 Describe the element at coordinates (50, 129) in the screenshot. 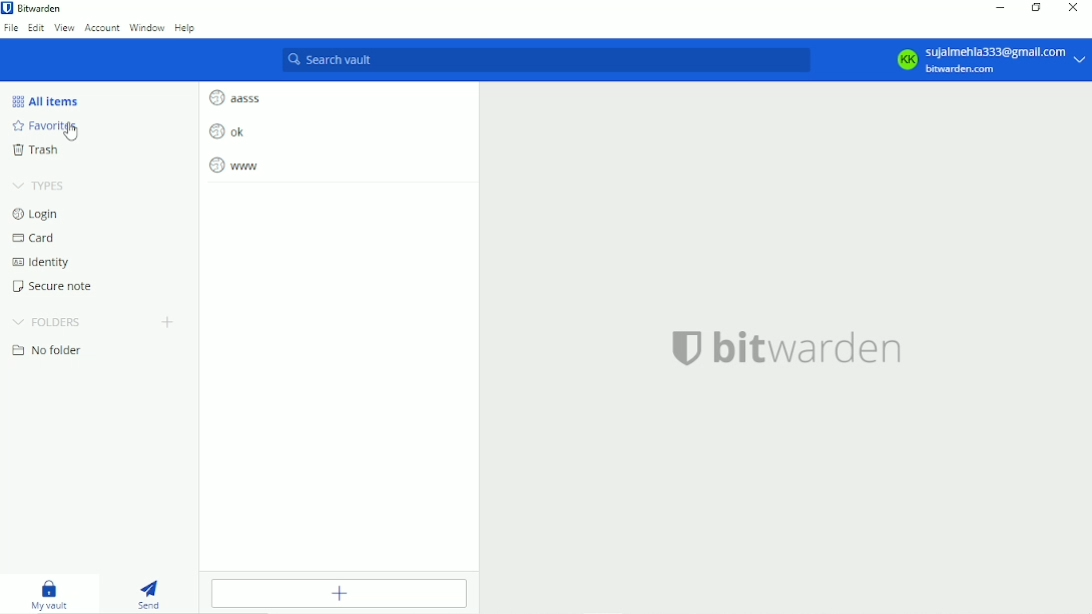

I see `Favorites` at that location.